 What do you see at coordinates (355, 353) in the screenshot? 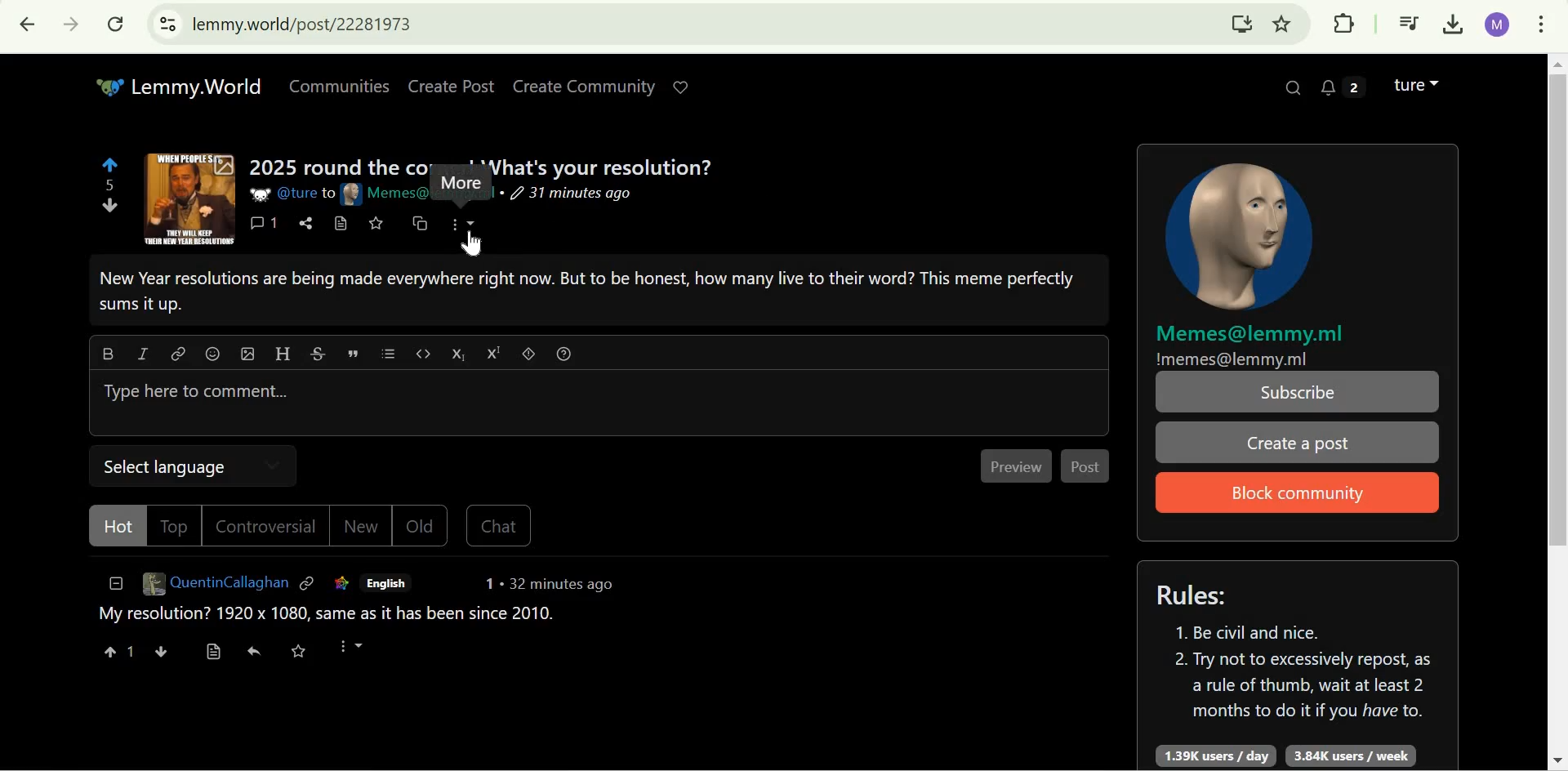
I see `quote` at bounding box center [355, 353].